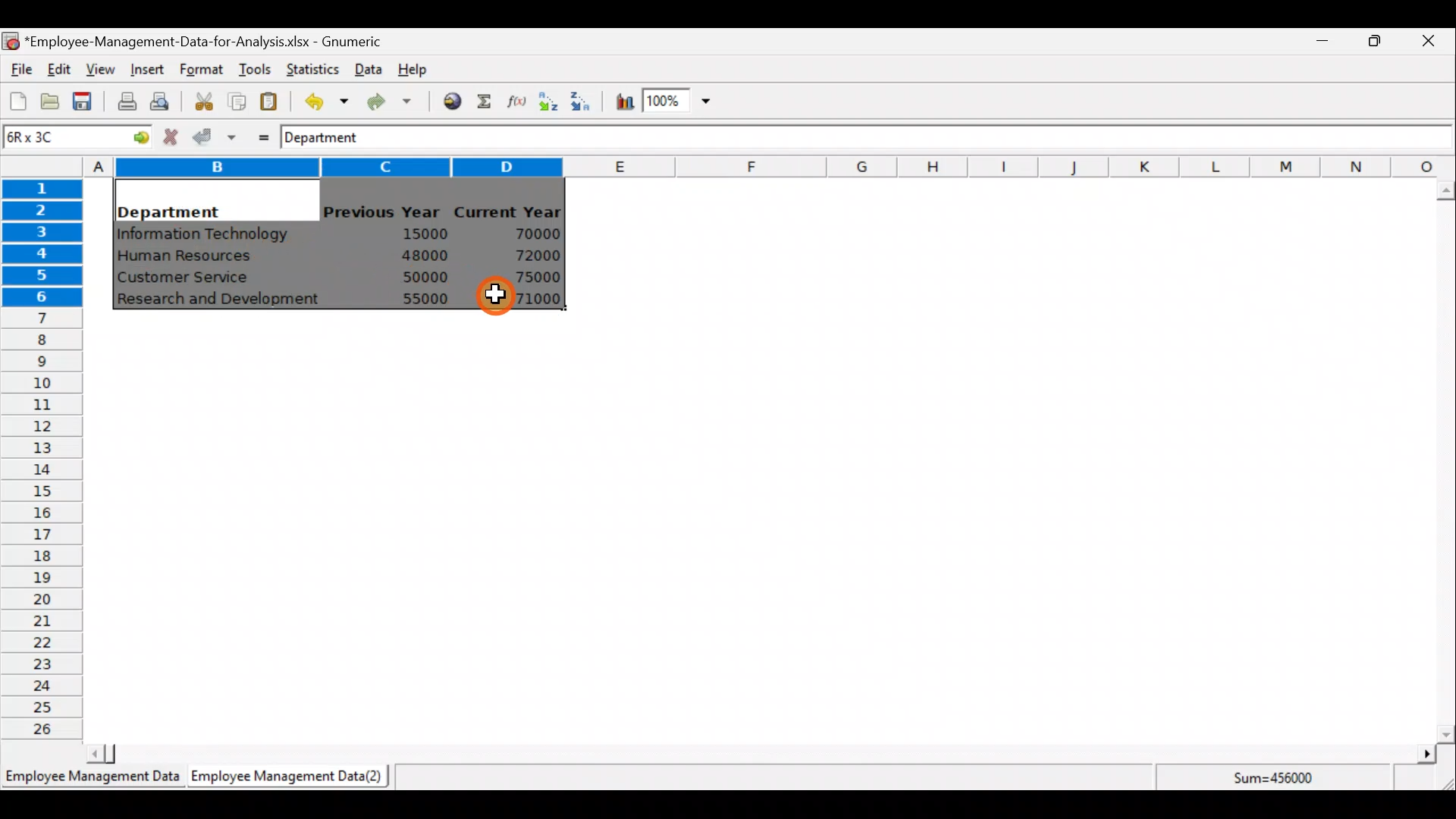  I want to click on 55000, so click(426, 299).